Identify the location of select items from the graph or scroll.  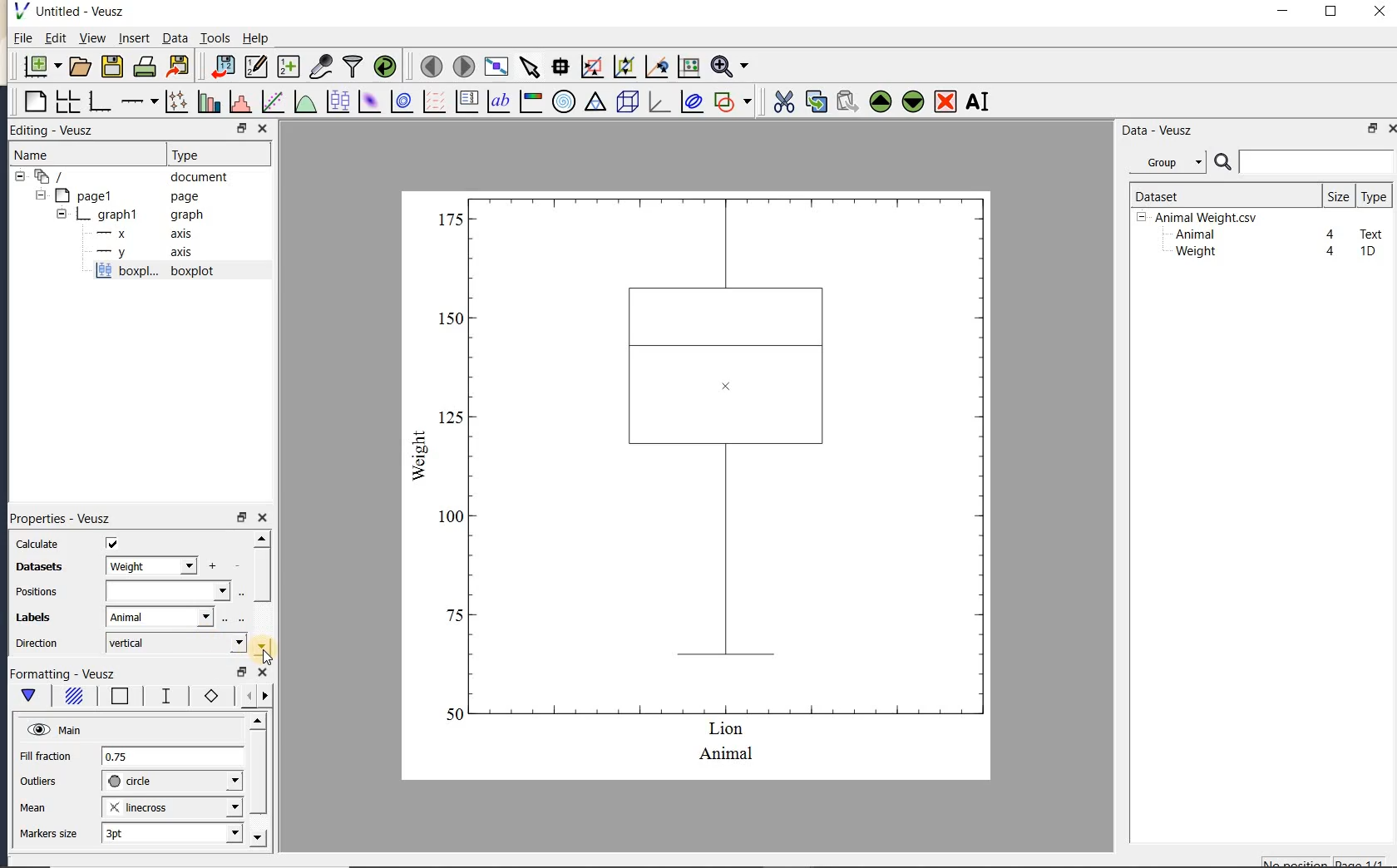
(531, 67).